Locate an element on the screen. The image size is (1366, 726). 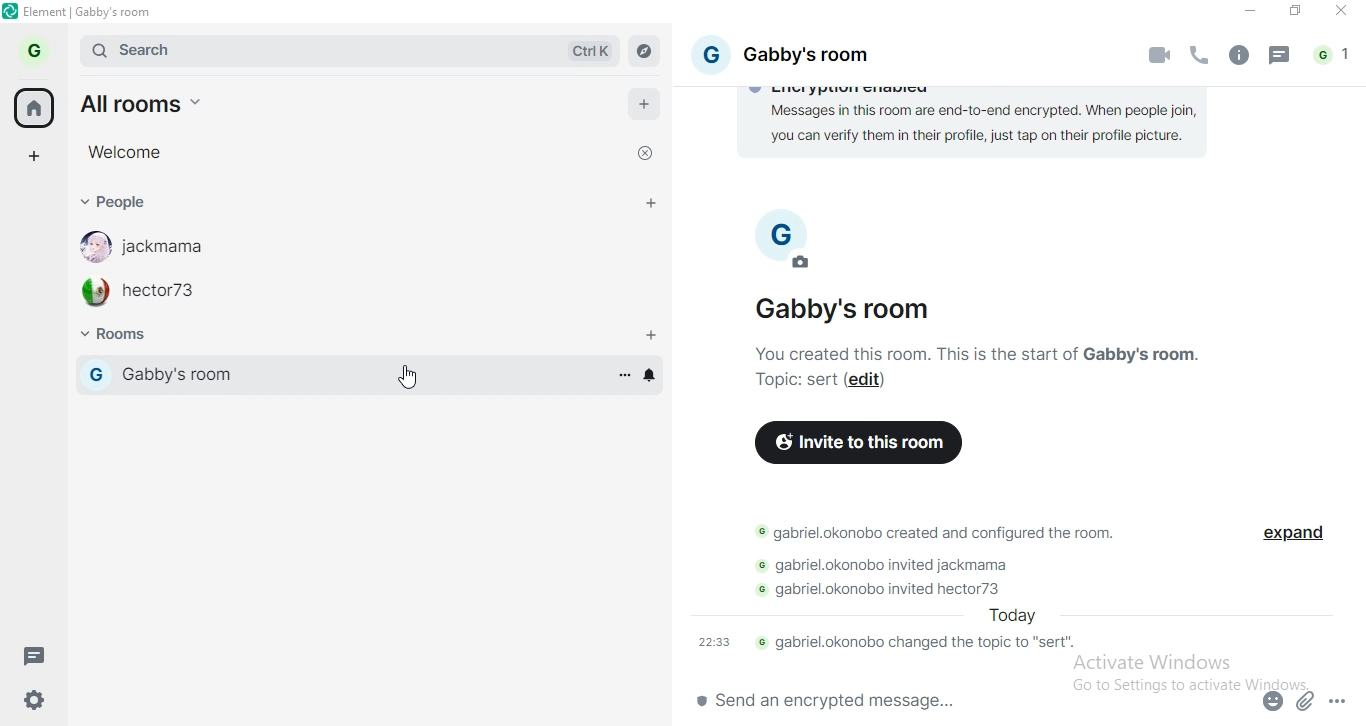
edit is located at coordinates (868, 381).